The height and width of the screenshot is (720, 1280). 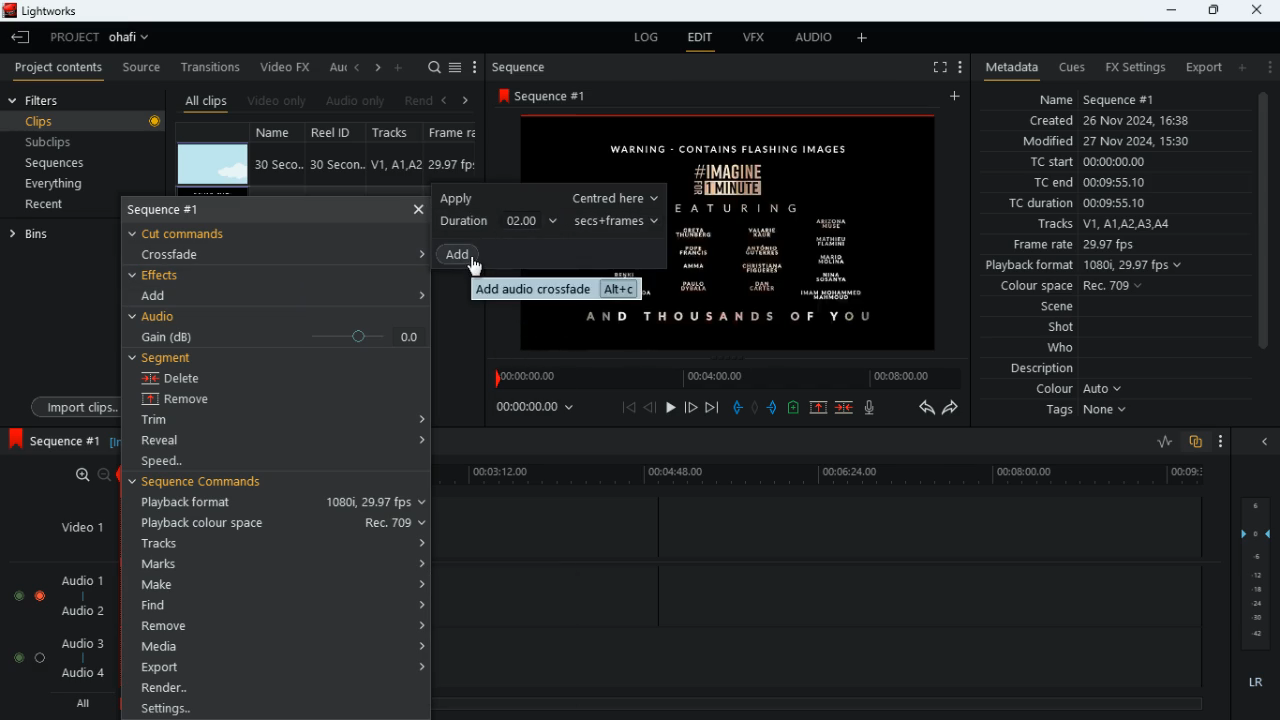 What do you see at coordinates (456, 165) in the screenshot?
I see `29.97 fps` at bounding box center [456, 165].